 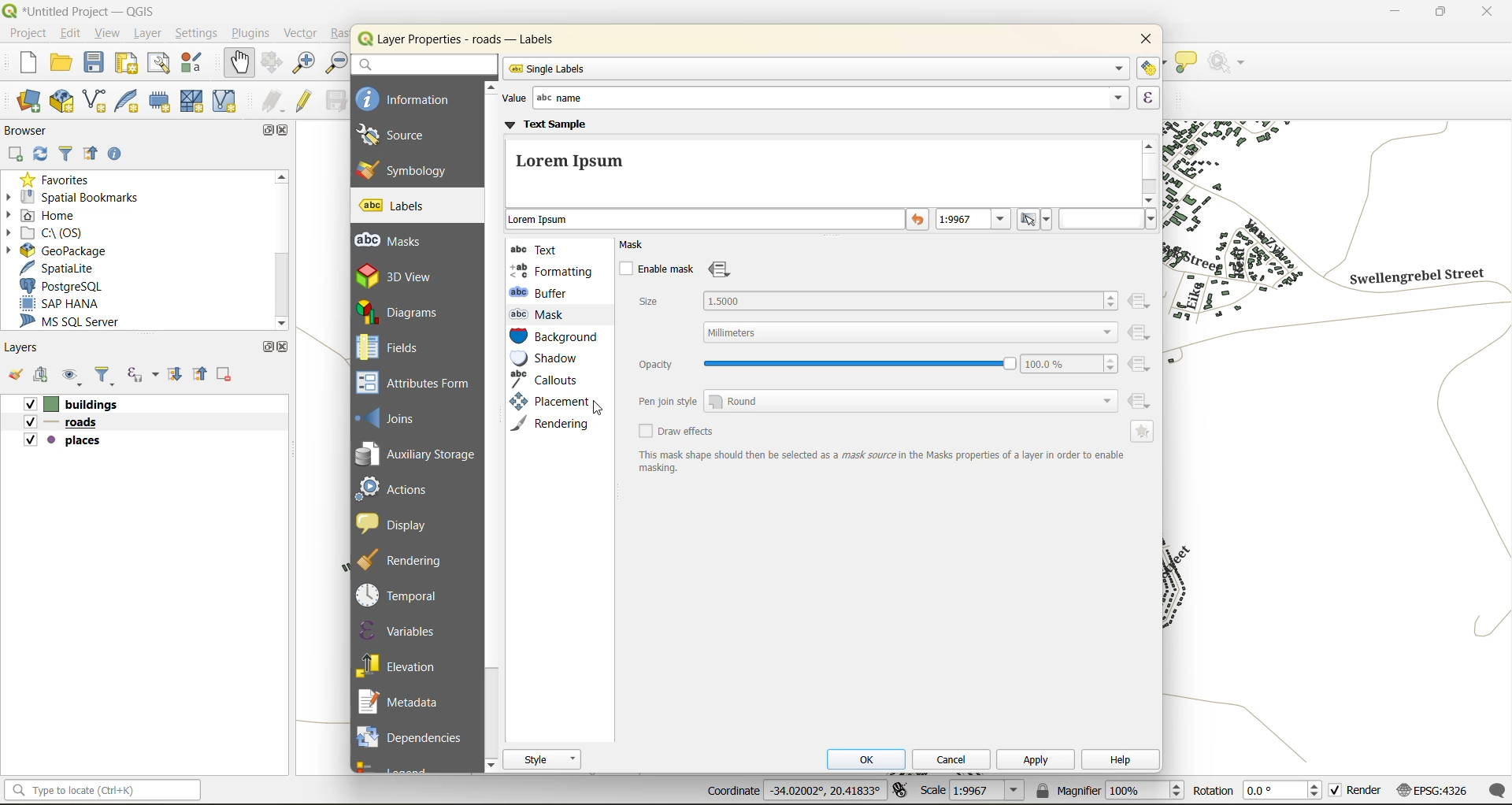 What do you see at coordinates (65, 253) in the screenshot?
I see `geopackage` at bounding box center [65, 253].